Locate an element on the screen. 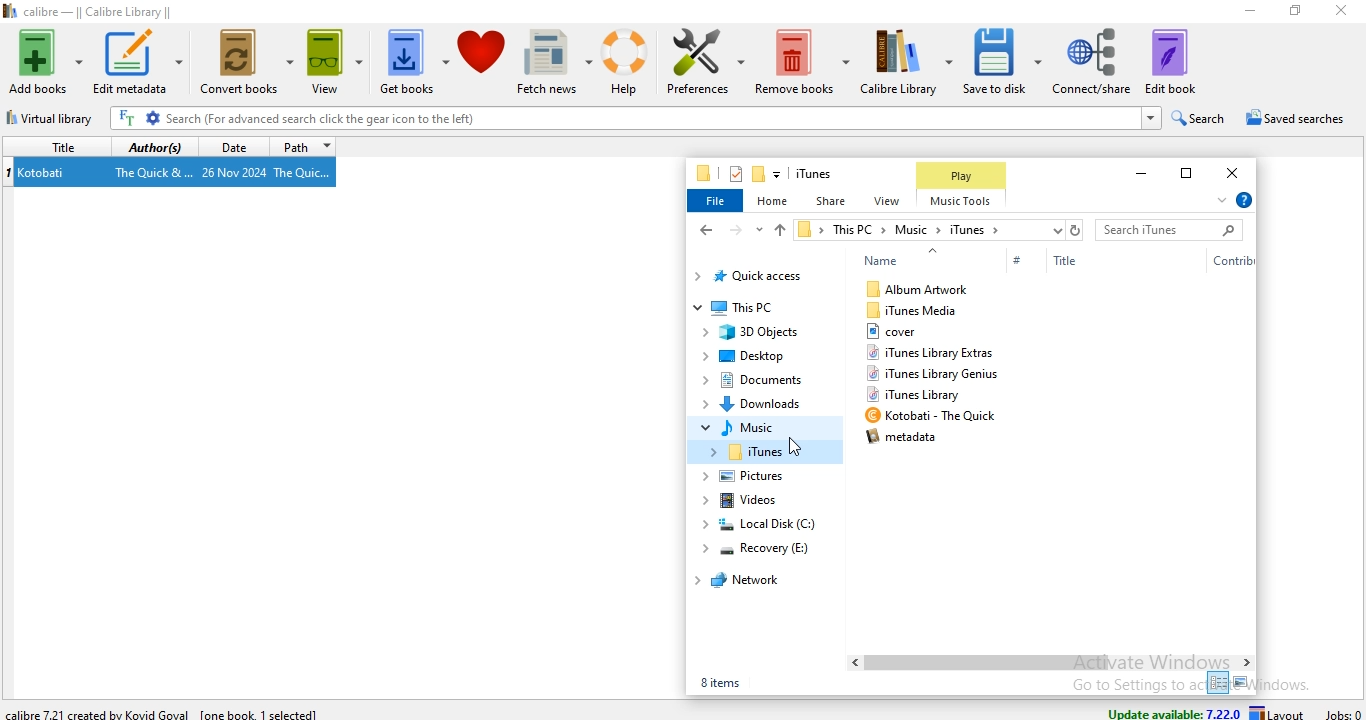  music is located at coordinates (743, 427).